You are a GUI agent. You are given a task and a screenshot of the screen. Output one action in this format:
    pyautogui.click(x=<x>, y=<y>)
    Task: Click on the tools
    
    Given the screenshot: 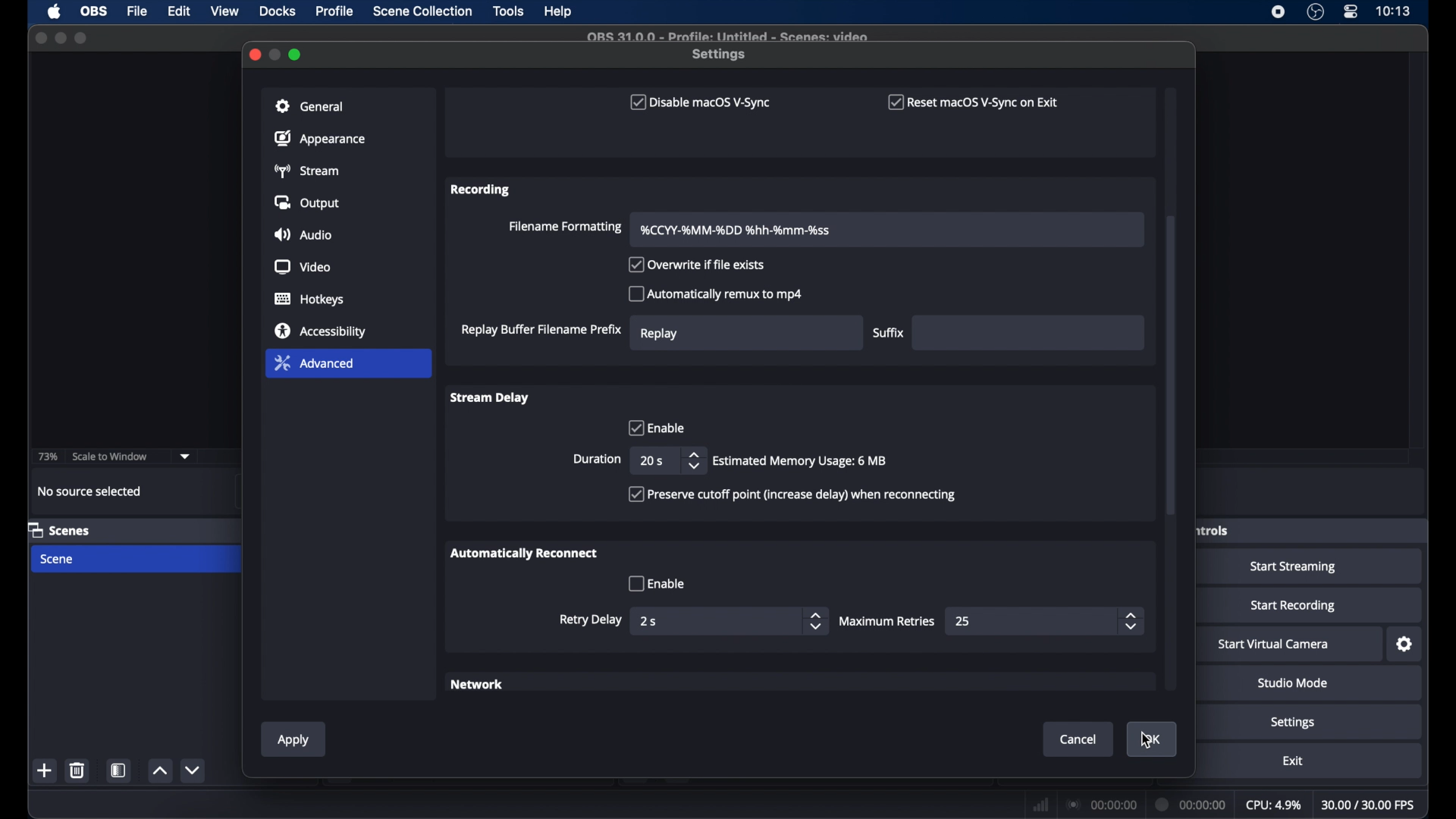 What is the action you would take?
    pyautogui.click(x=509, y=11)
    